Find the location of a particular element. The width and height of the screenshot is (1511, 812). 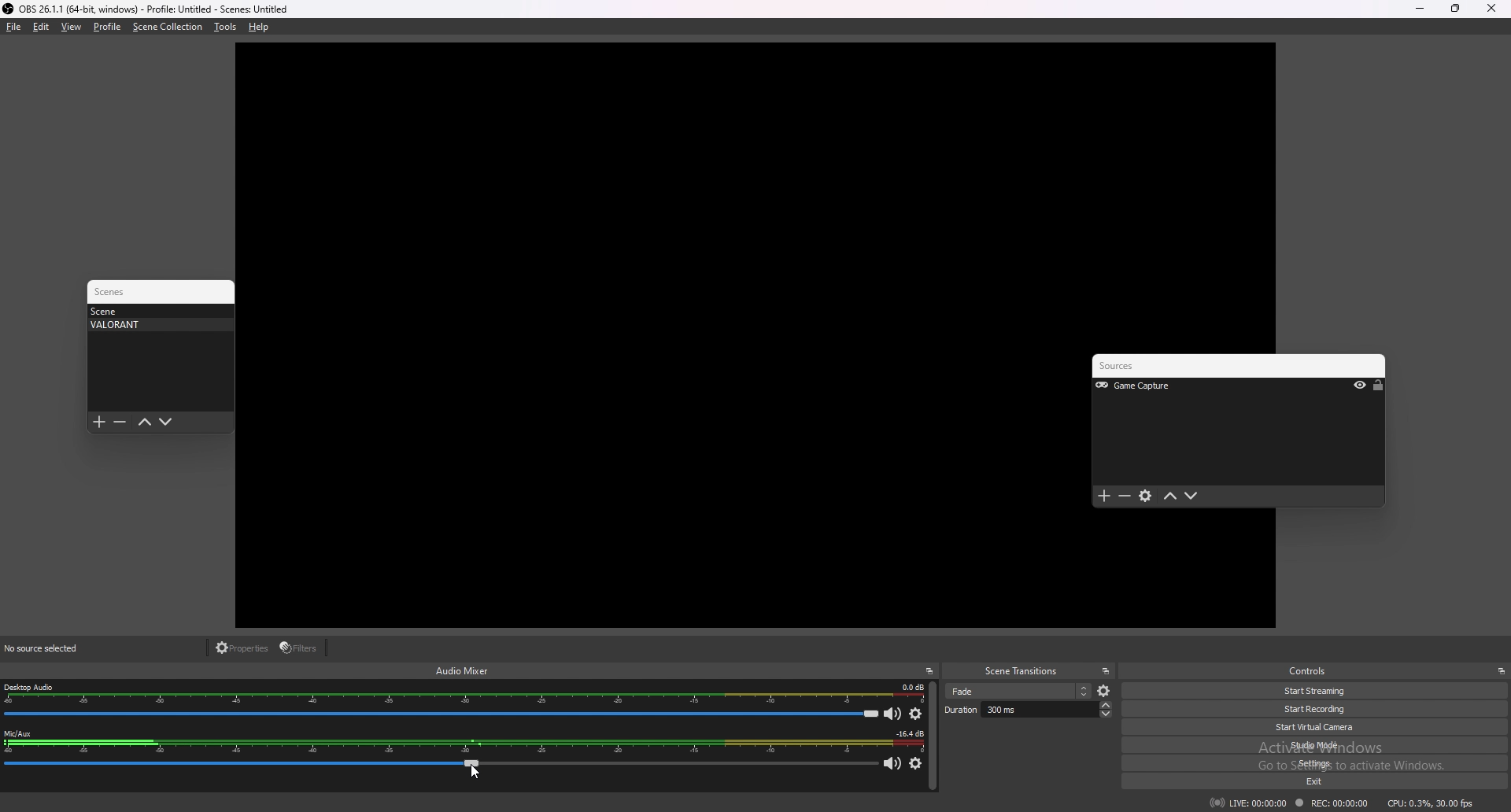

pop out is located at coordinates (929, 671).